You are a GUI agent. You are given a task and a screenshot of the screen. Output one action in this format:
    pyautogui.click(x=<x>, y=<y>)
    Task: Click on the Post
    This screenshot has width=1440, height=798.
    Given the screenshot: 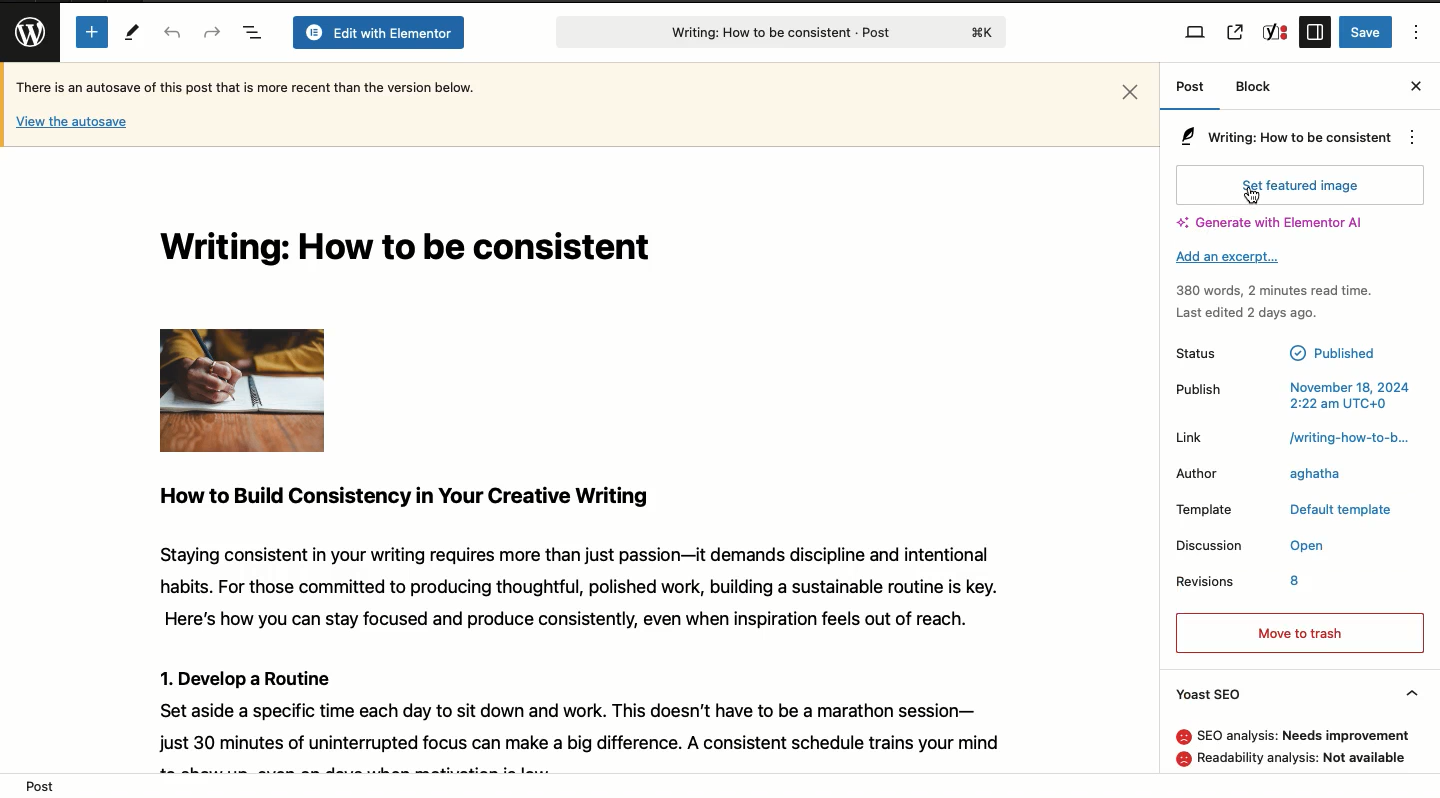 What is the action you would take?
    pyautogui.click(x=1189, y=93)
    